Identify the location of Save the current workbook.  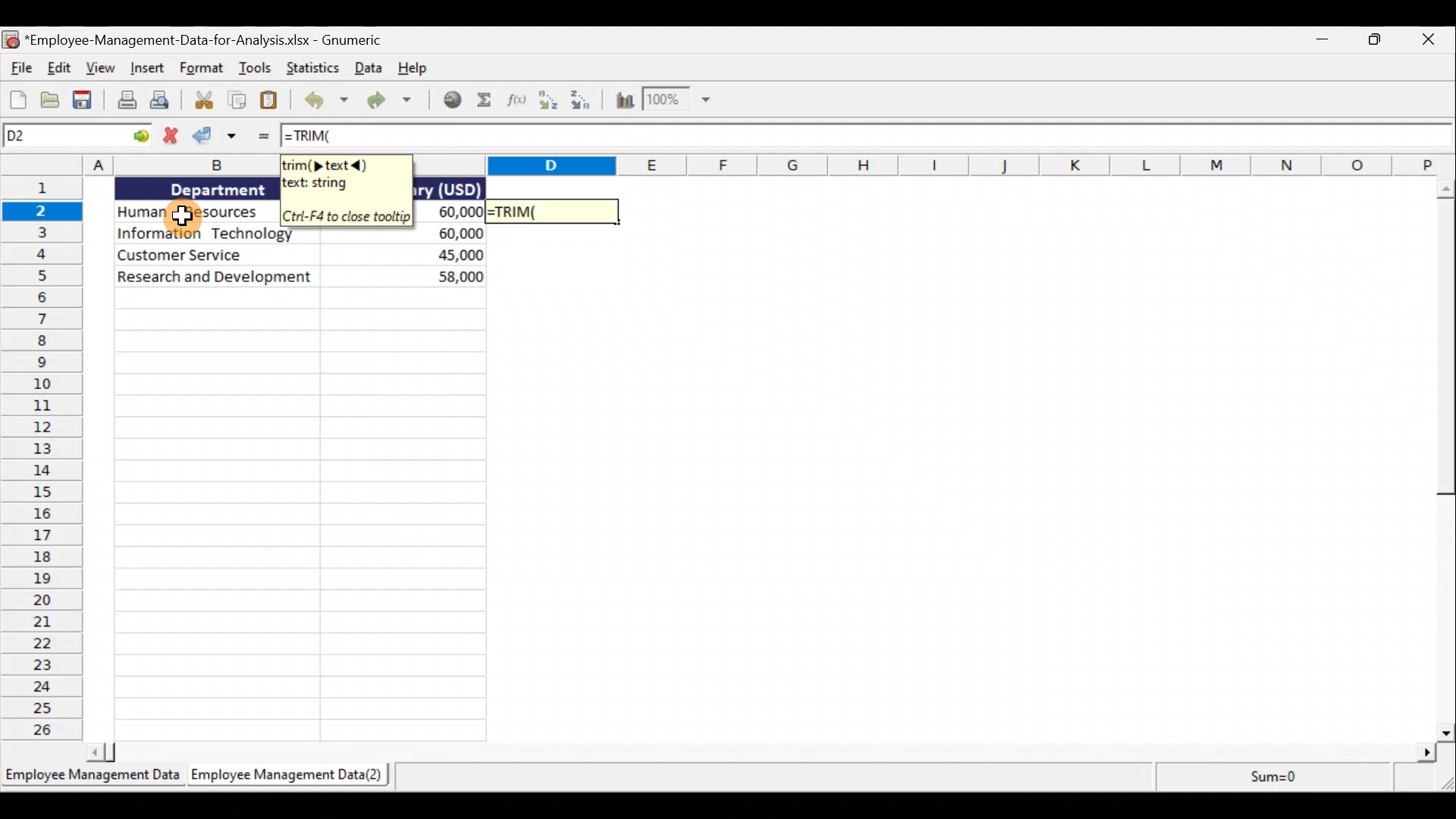
(83, 100).